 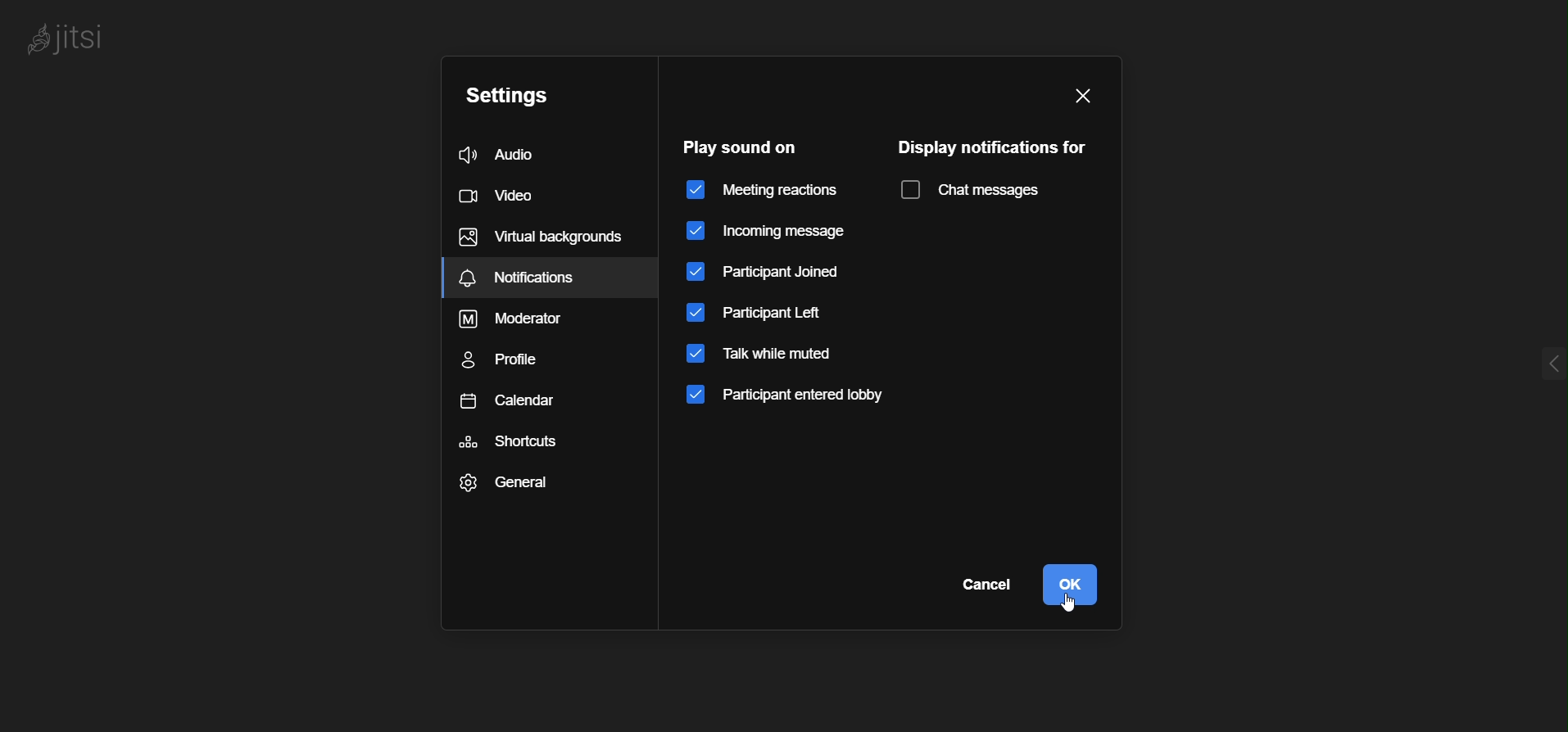 What do you see at coordinates (537, 237) in the screenshot?
I see `notifications` at bounding box center [537, 237].